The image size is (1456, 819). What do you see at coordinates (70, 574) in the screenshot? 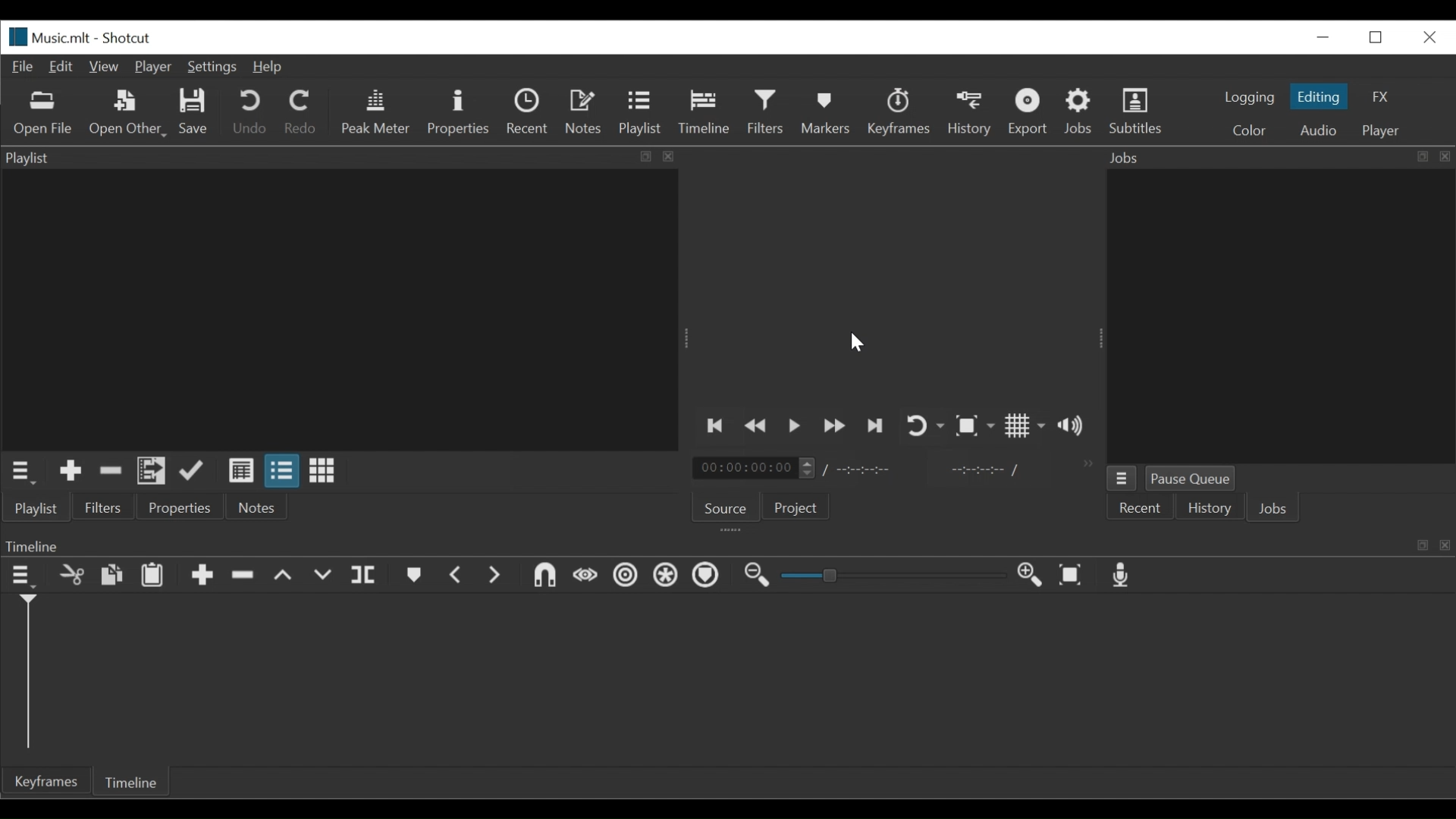
I see `Remove cut` at bounding box center [70, 574].